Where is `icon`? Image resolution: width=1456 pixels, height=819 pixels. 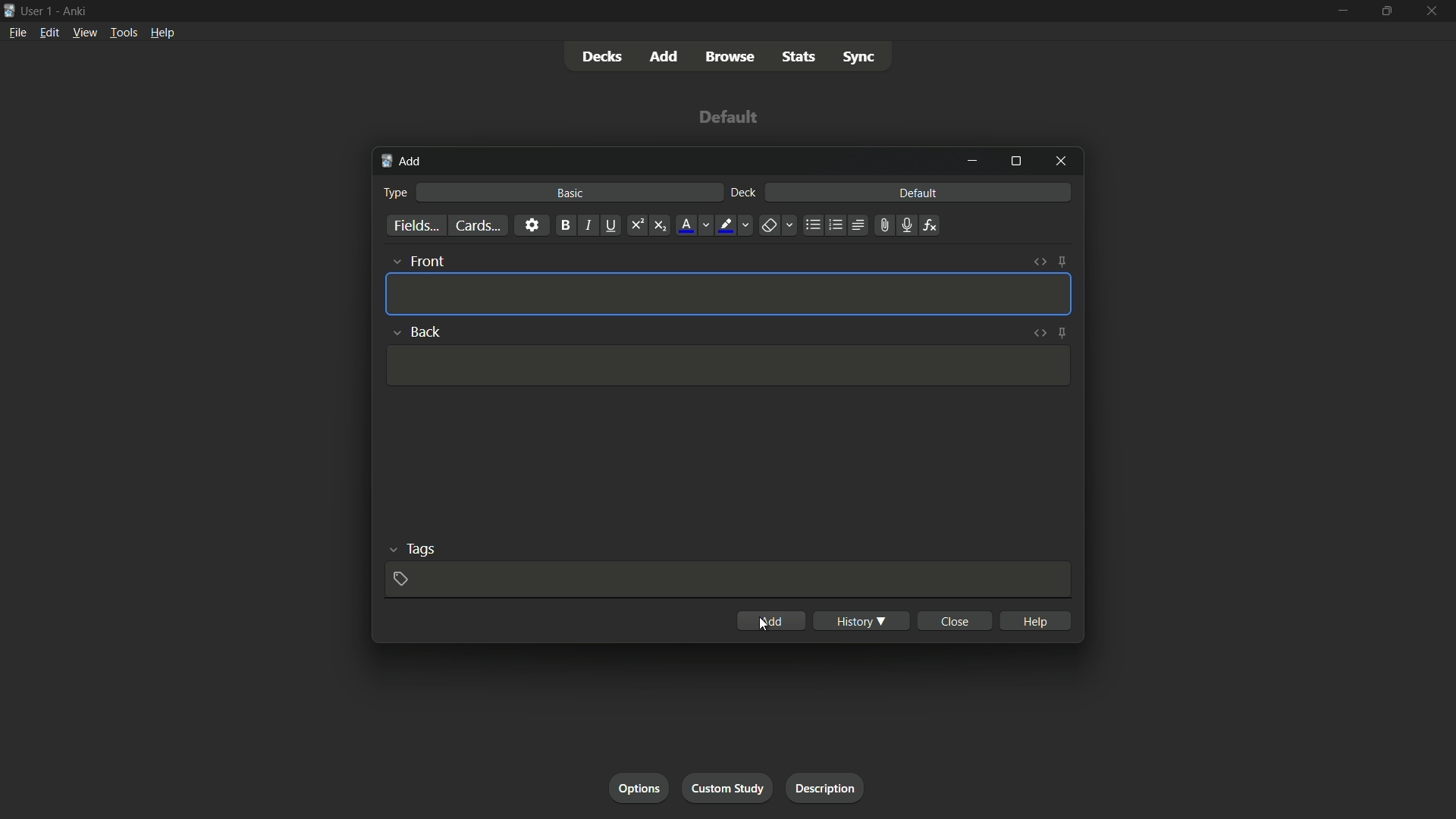 icon is located at coordinates (9, 9).